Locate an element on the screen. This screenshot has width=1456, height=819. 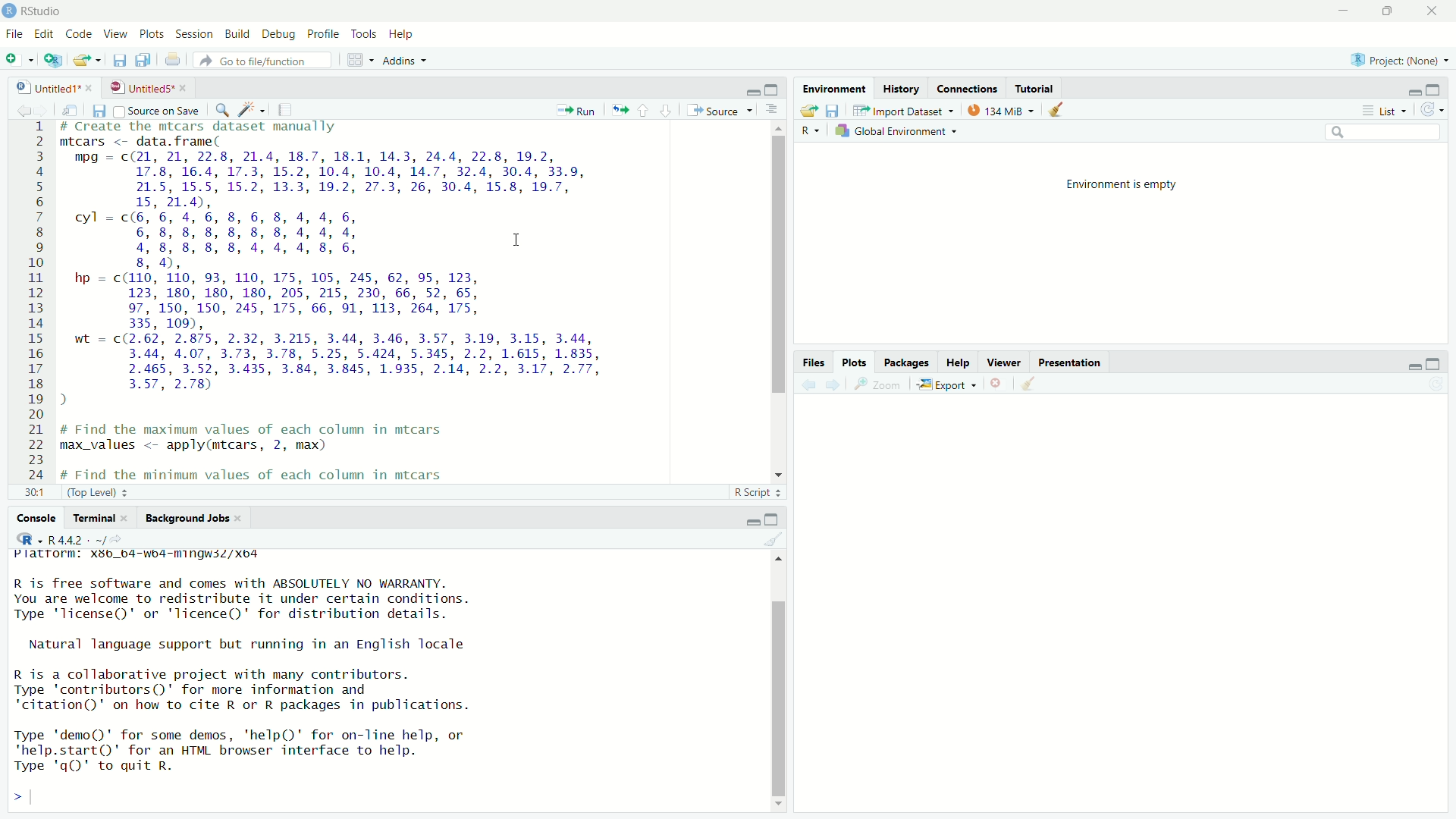
134 MIB ~ is located at coordinates (999, 111).